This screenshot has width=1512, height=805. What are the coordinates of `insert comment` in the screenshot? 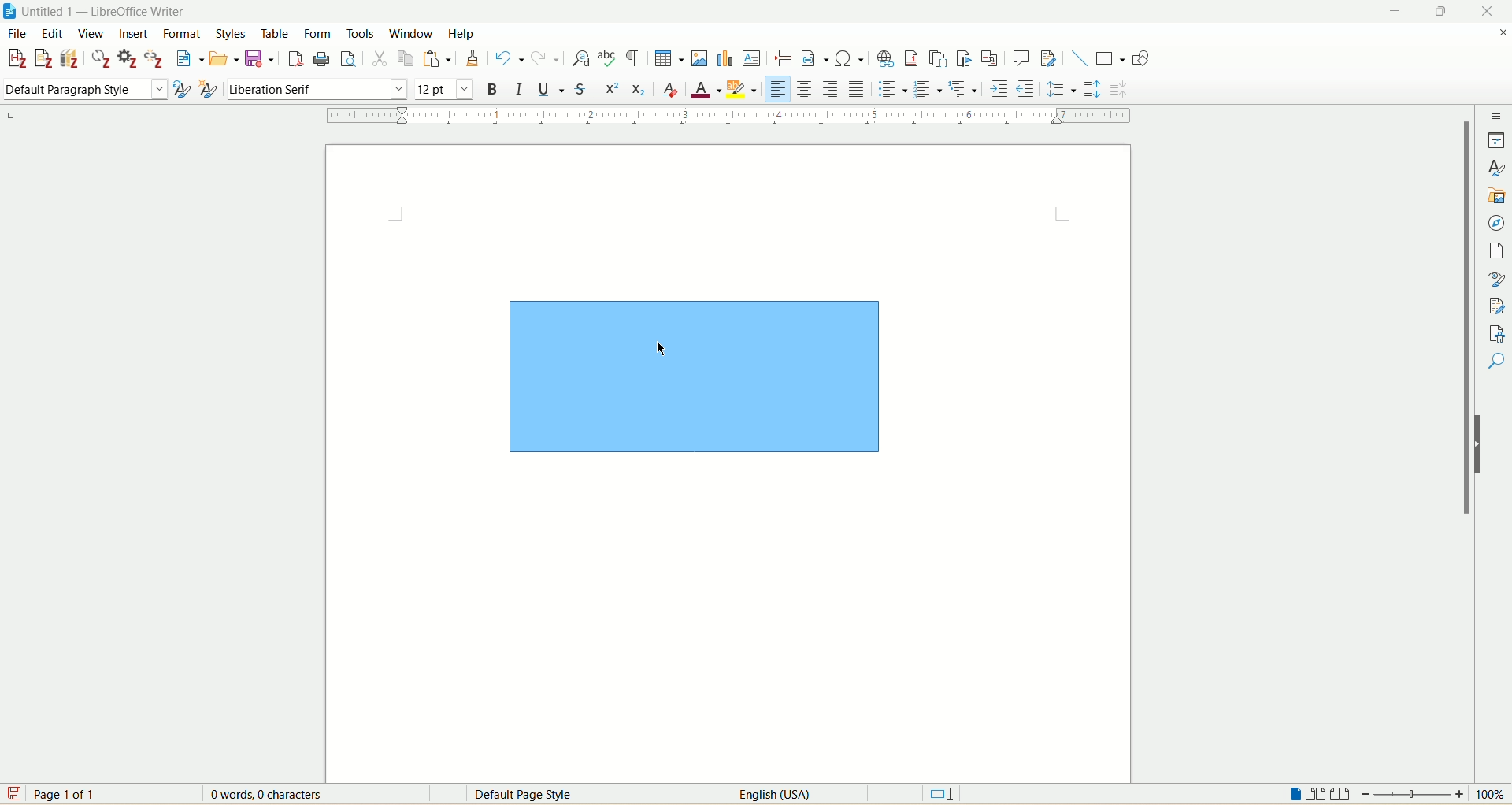 It's located at (1022, 58).